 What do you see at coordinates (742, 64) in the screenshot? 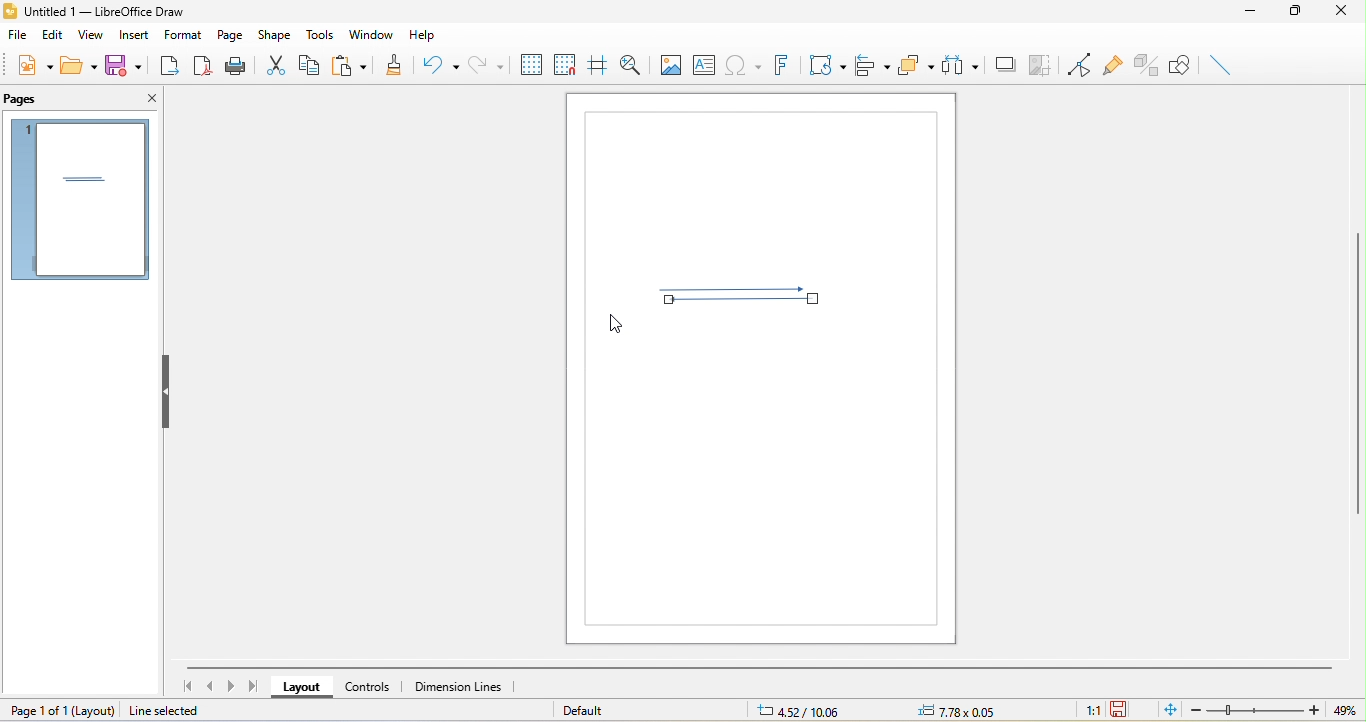
I see `special character` at bounding box center [742, 64].